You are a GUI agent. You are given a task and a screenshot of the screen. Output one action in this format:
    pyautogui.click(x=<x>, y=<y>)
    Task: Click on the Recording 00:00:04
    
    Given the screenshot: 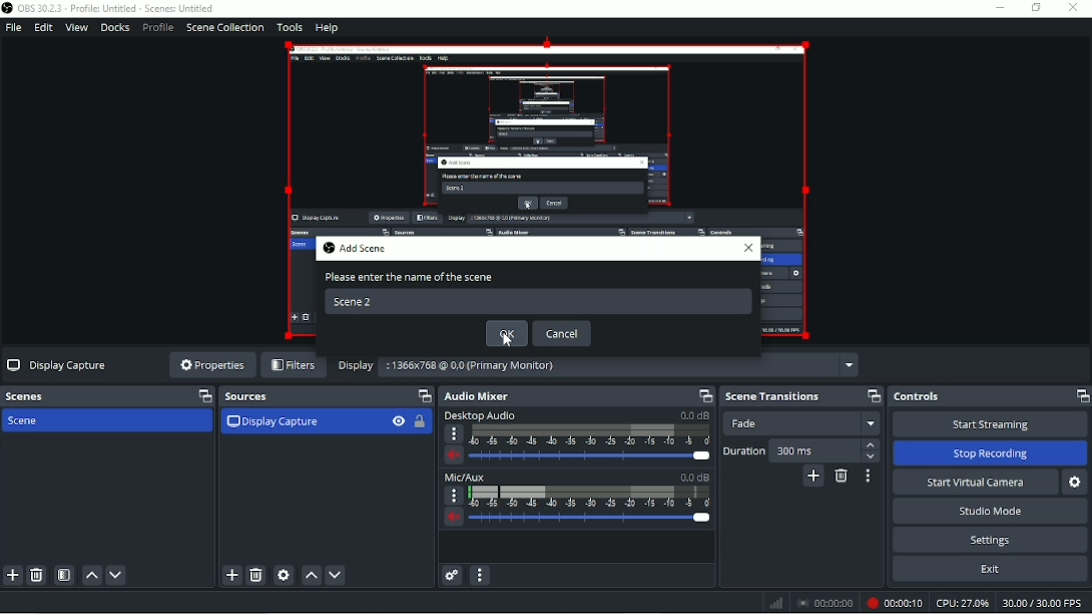 What is the action you would take?
    pyautogui.click(x=894, y=604)
    